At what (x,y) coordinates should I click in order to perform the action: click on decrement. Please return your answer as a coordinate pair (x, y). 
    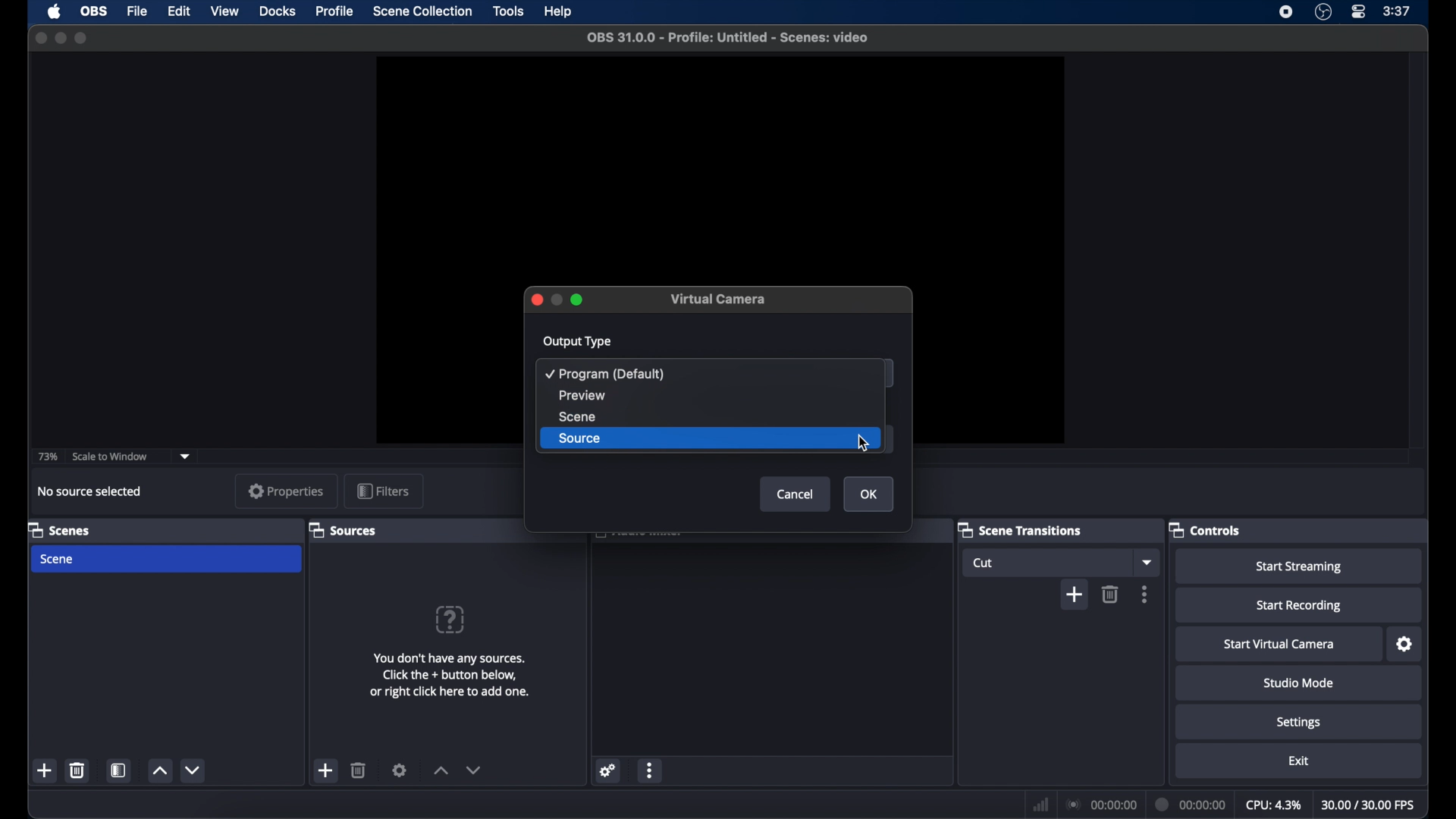
    Looking at the image, I should click on (192, 770).